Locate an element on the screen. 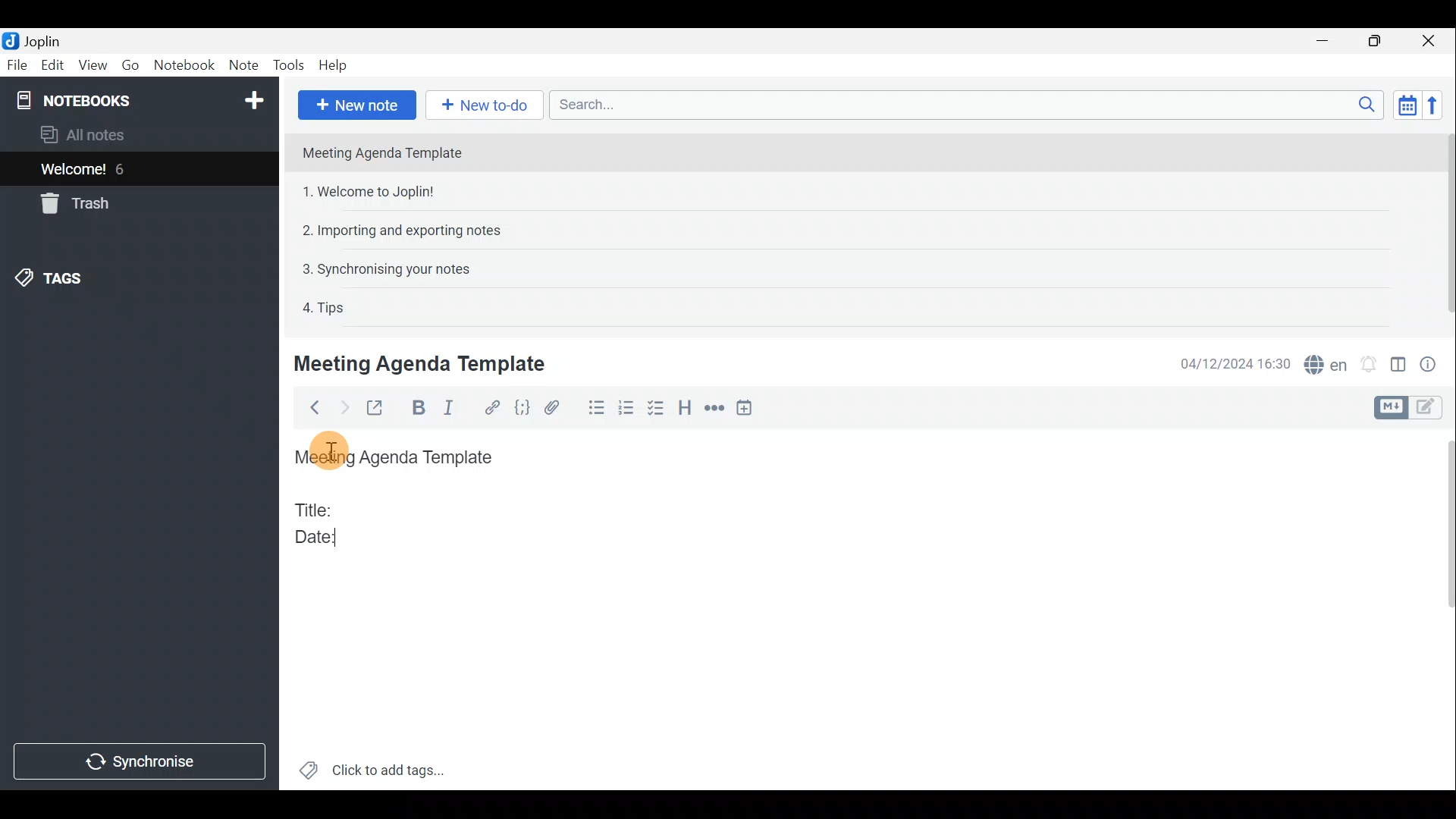 The height and width of the screenshot is (819, 1456). Date: is located at coordinates (328, 535).